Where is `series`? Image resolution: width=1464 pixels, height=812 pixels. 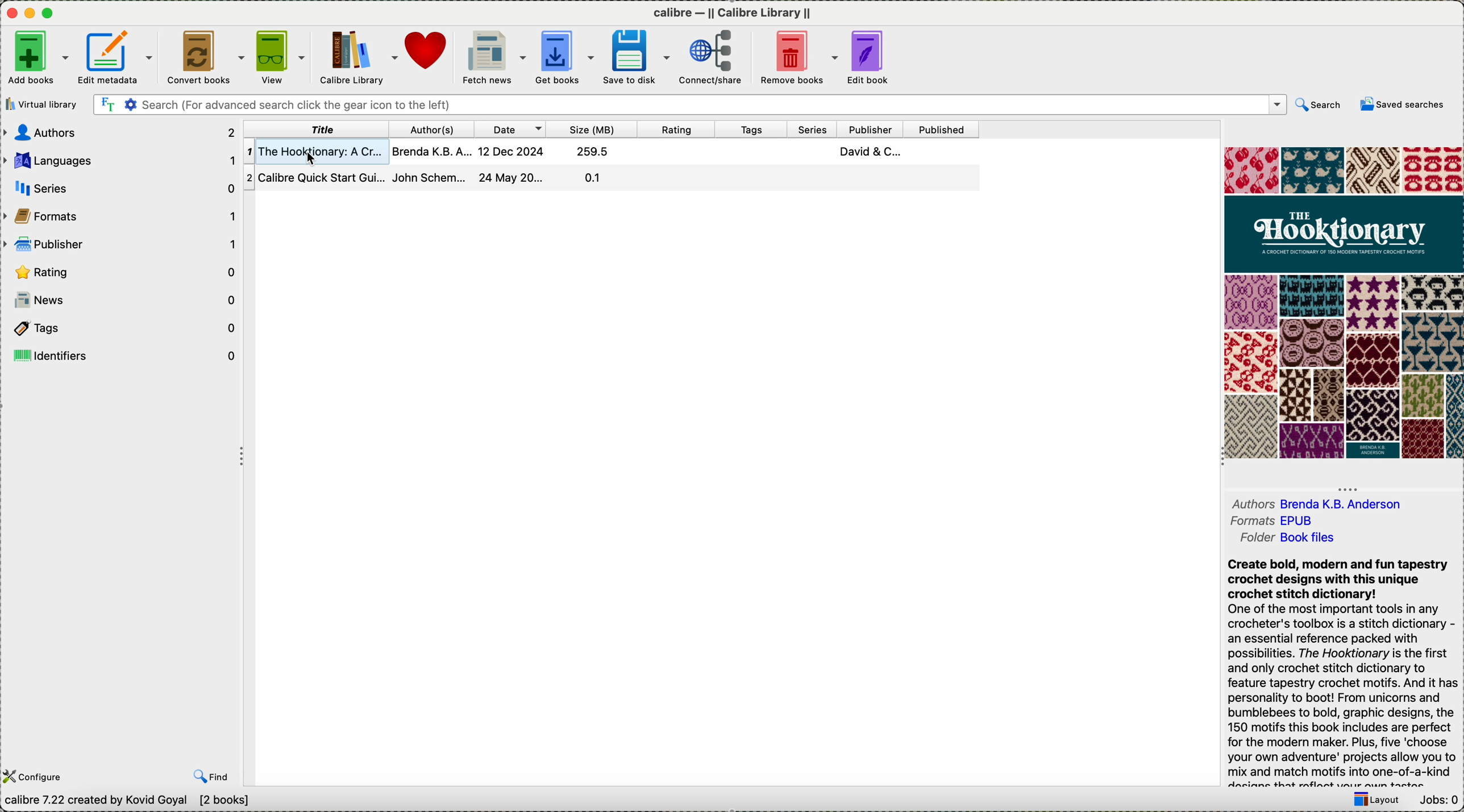 series is located at coordinates (120, 186).